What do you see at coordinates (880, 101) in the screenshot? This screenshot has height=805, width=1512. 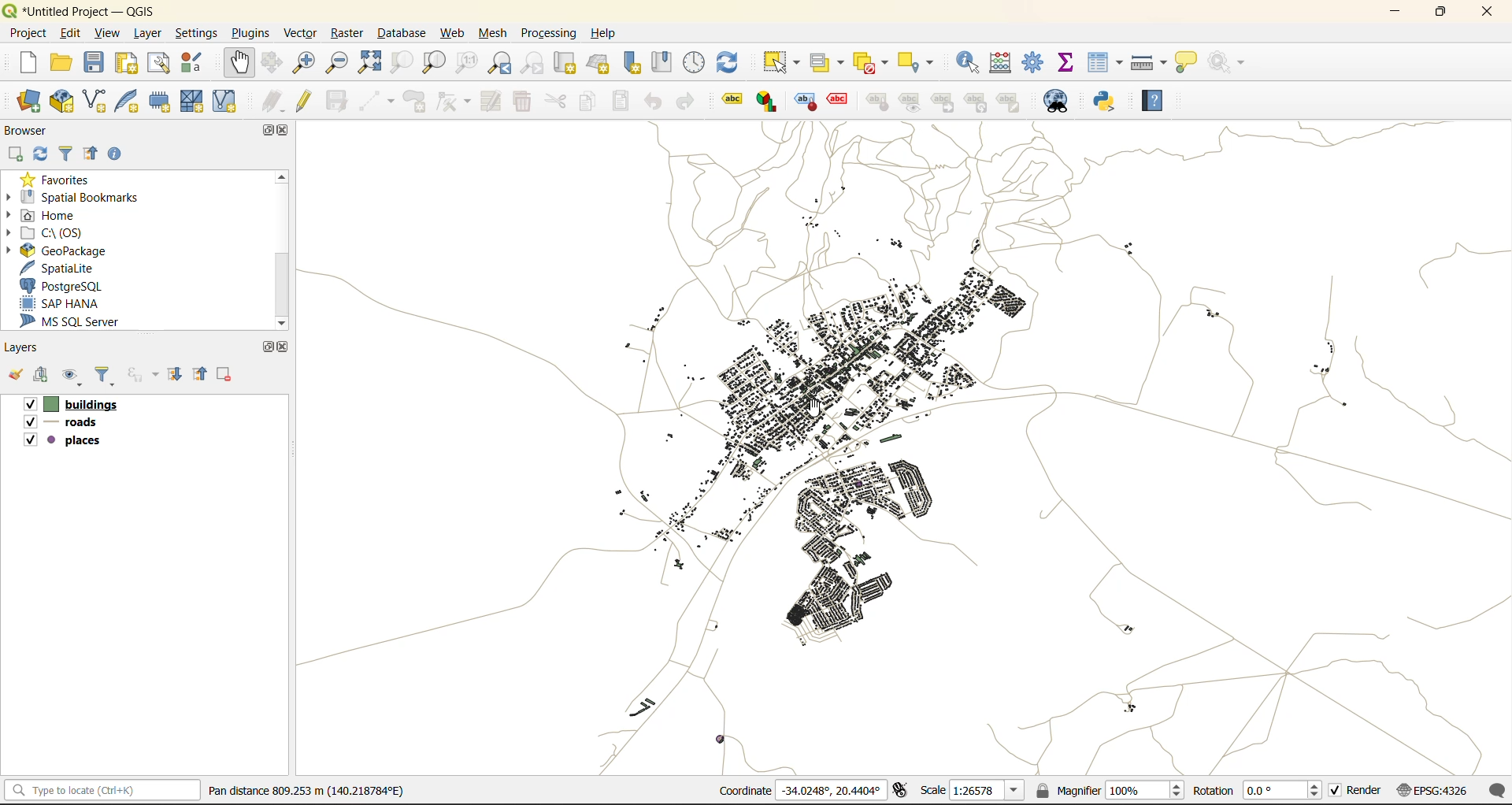 I see `style` at bounding box center [880, 101].